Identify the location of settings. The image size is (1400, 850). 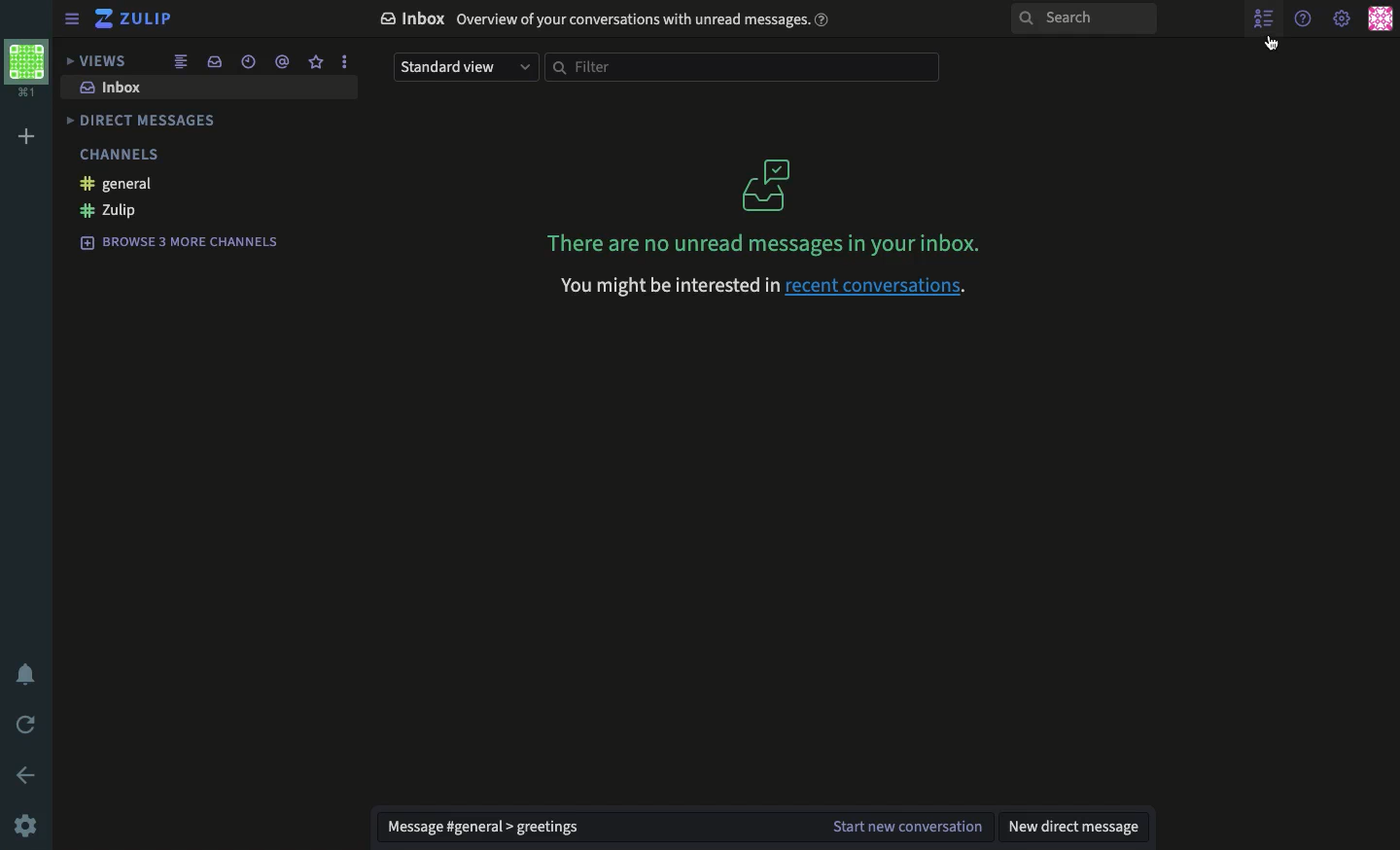
(1343, 20).